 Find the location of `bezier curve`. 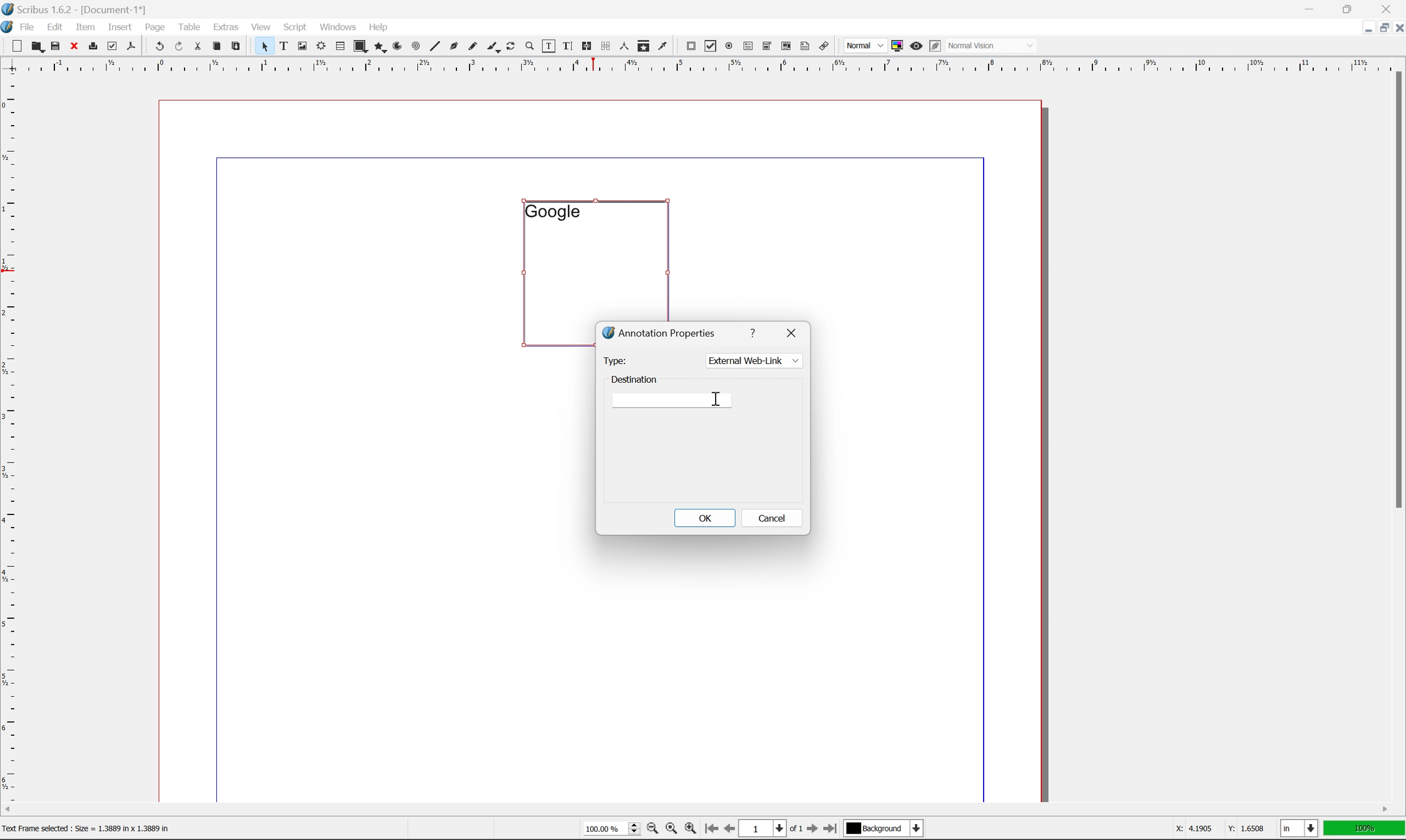

bezier curve is located at coordinates (454, 46).